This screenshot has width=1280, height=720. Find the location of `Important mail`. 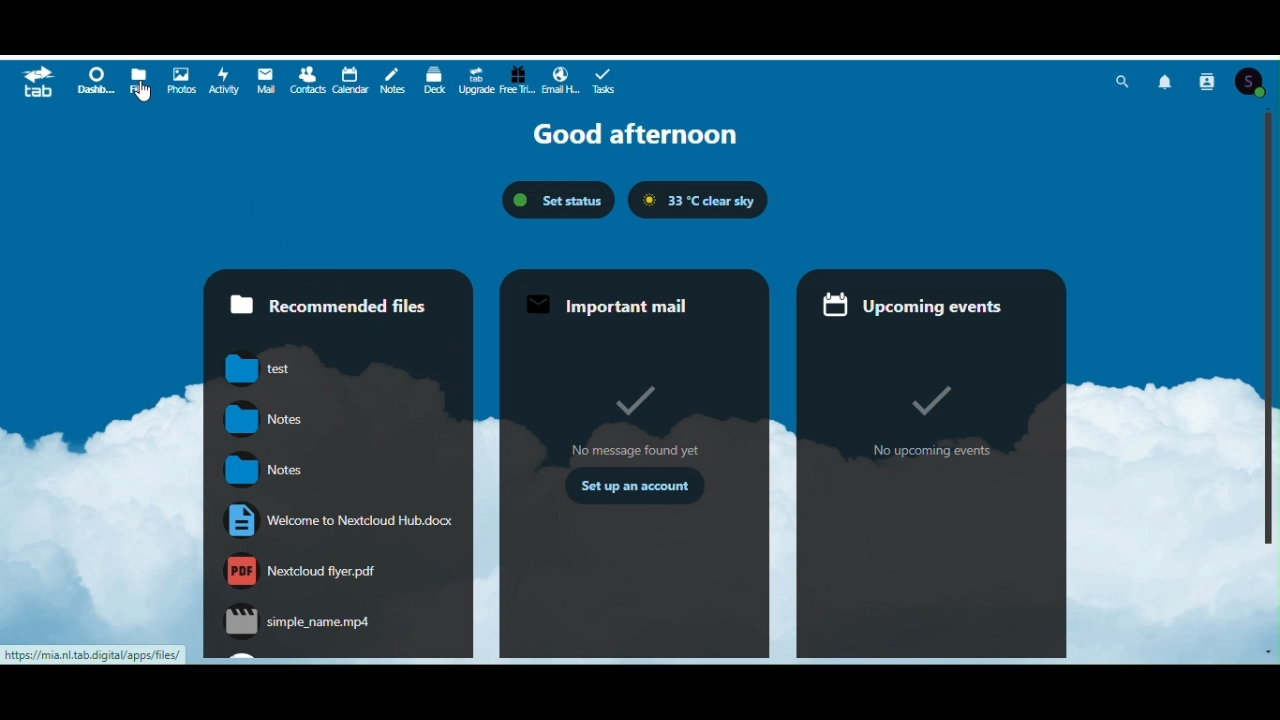

Important mail is located at coordinates (629, 304).